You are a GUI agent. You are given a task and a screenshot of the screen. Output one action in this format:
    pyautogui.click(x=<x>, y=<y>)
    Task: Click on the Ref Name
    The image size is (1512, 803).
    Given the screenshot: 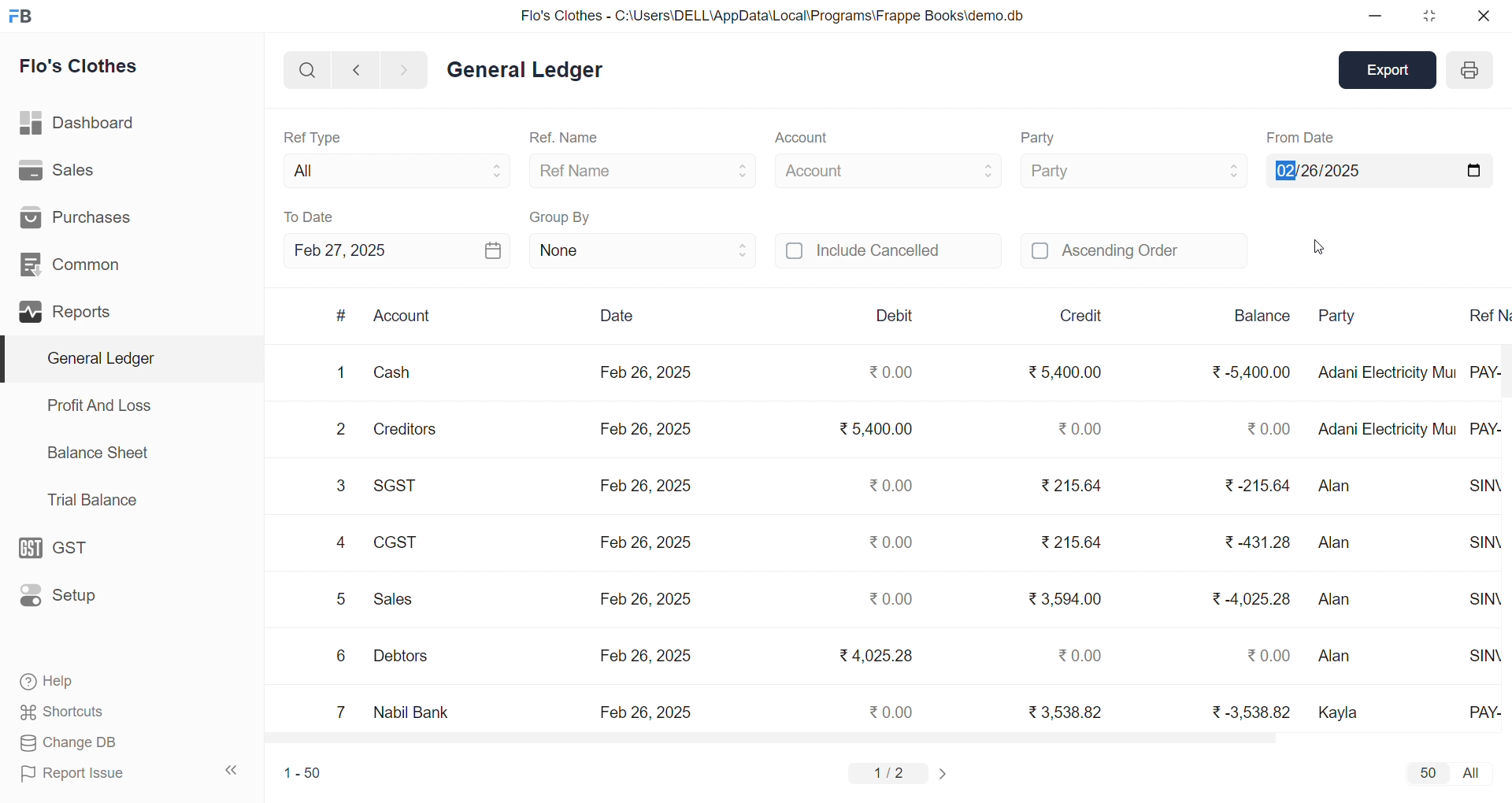 What is the action you would take?
    pyautogui.click(x=644, y=170)
    